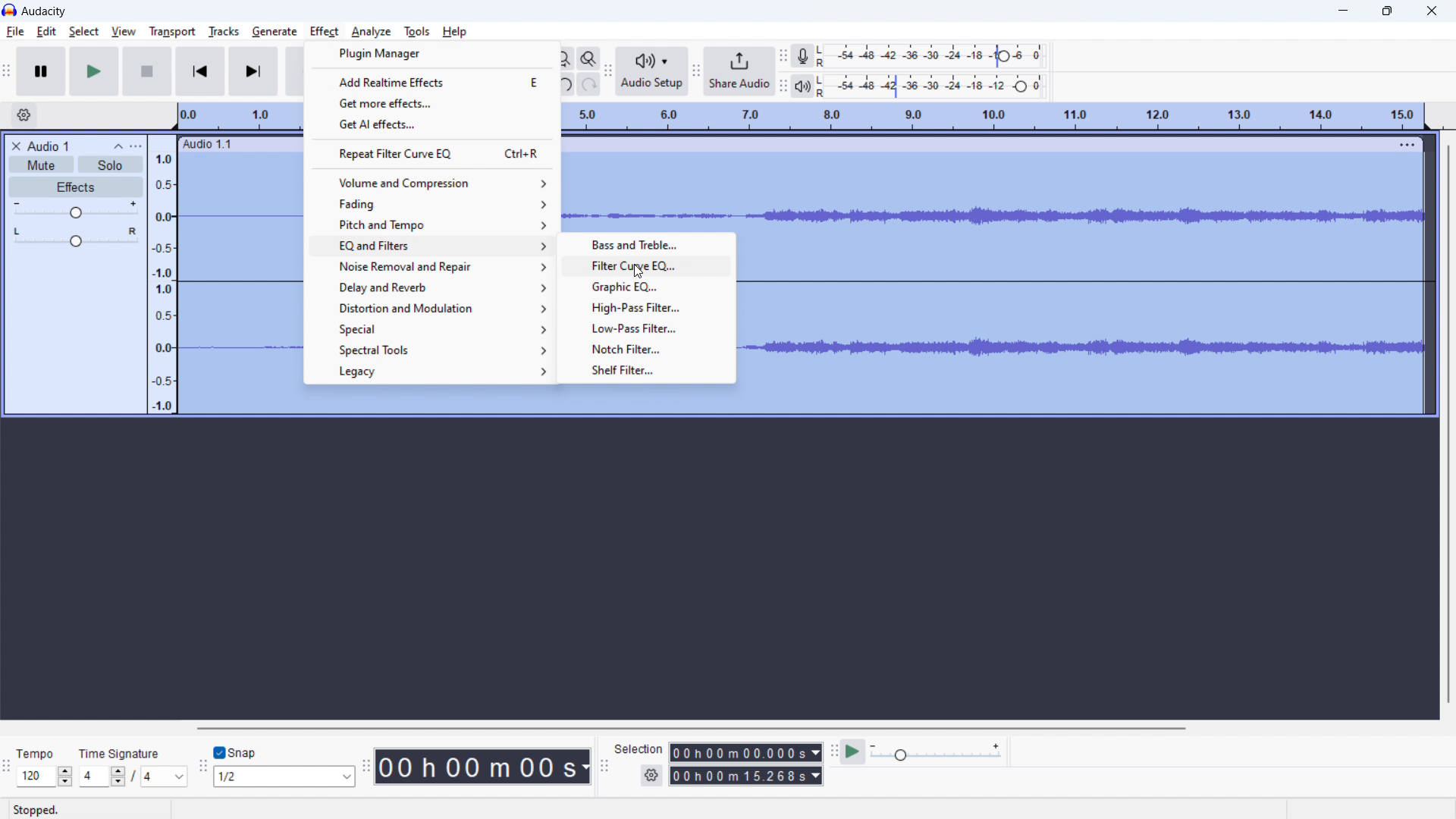 This screenshot has height=819, width=1456. What do you see at coordinates (416, 32) in the screenshot?
I see `tools` at bounding box center [416, 32].